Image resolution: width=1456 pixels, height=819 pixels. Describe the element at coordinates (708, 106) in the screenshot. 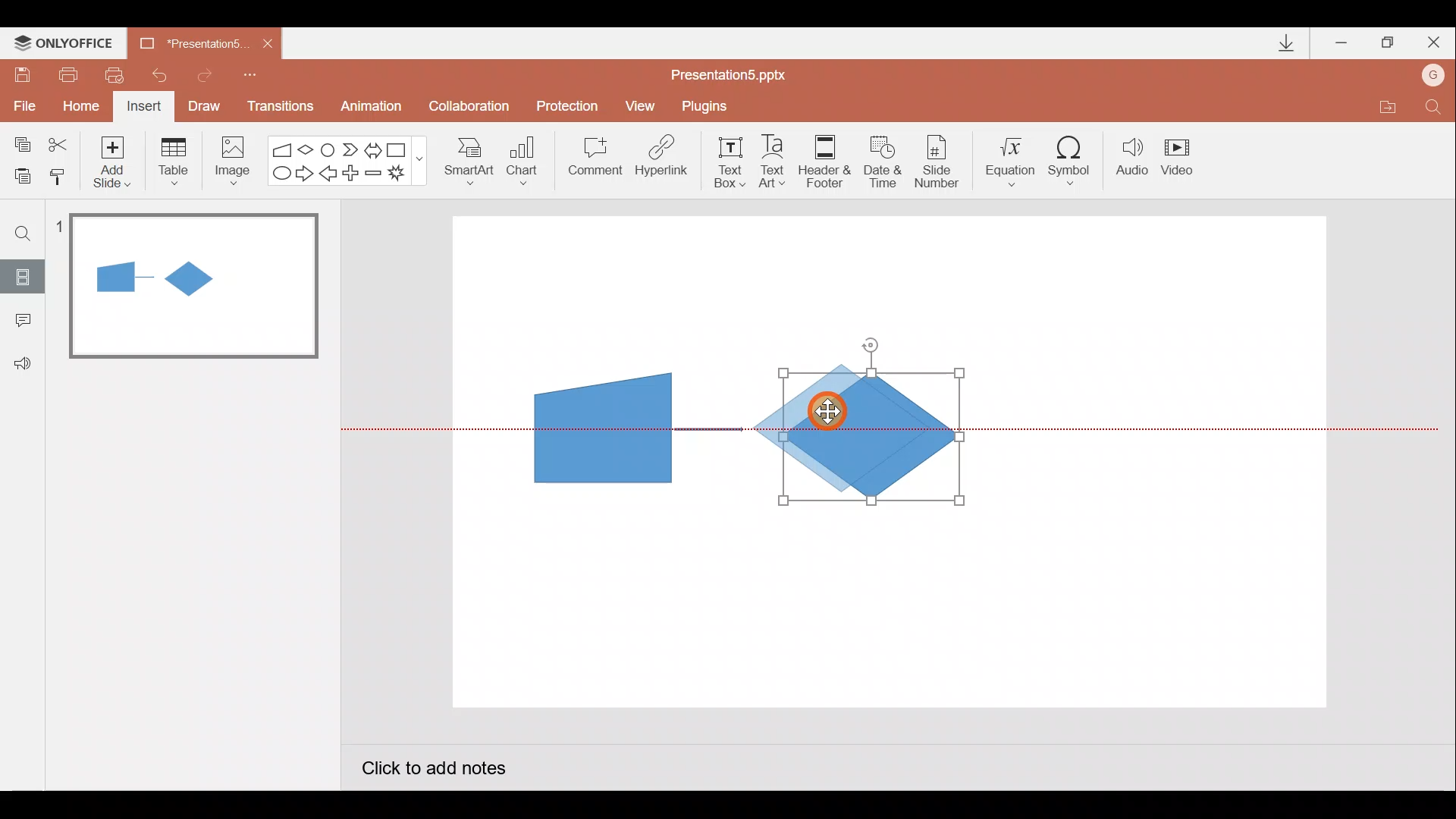

I see `Plugins` at that location.